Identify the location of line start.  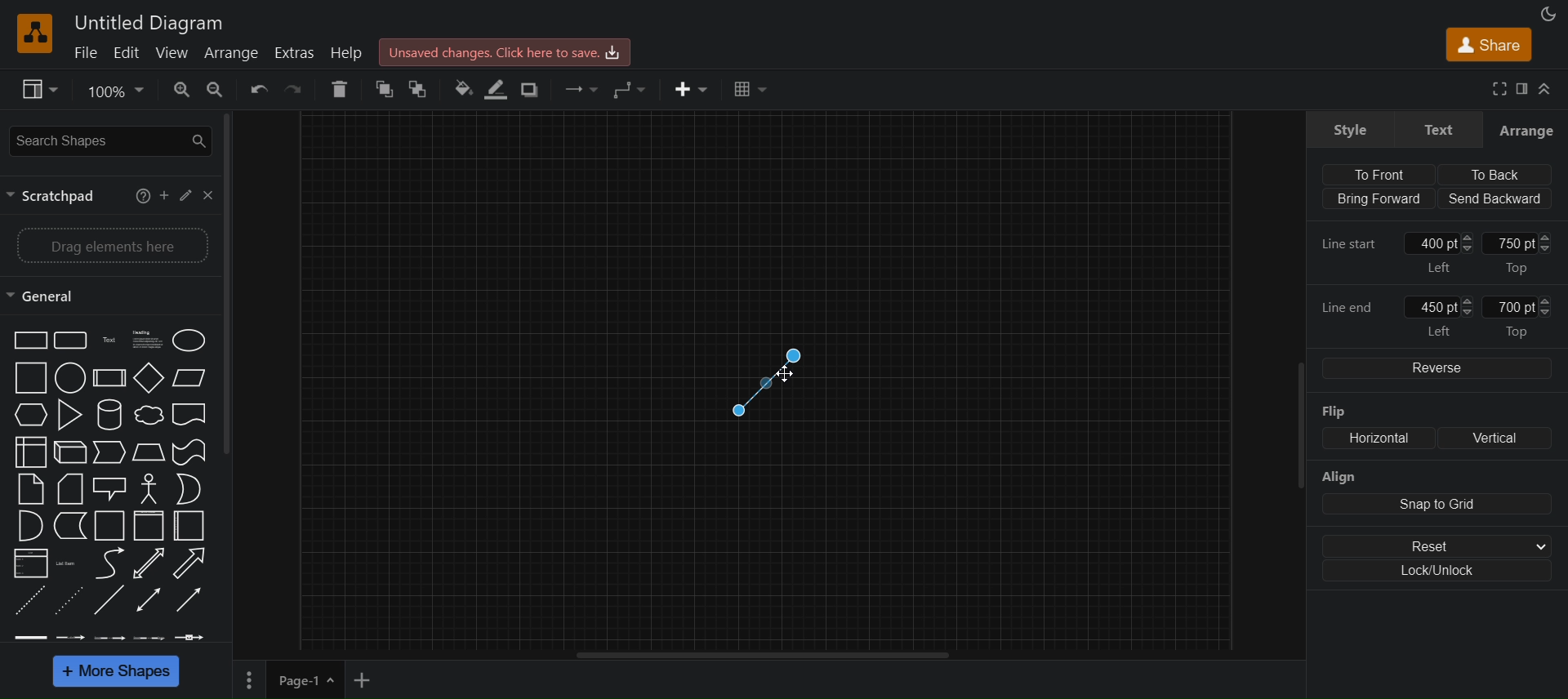
(1355, 244).